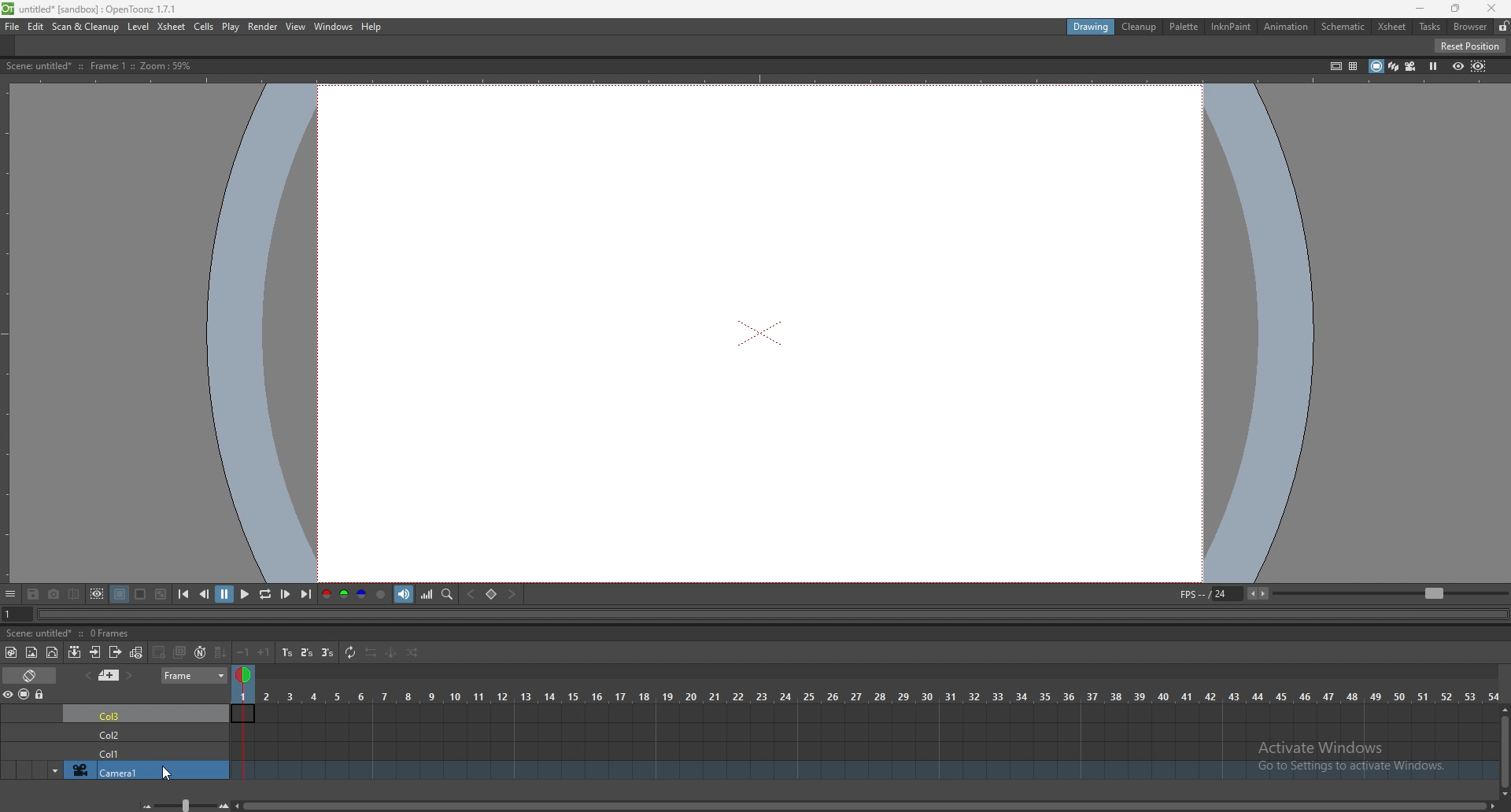 This screenshot has height=812, width=1511. I want to click on hide bar, so click(10, 595).